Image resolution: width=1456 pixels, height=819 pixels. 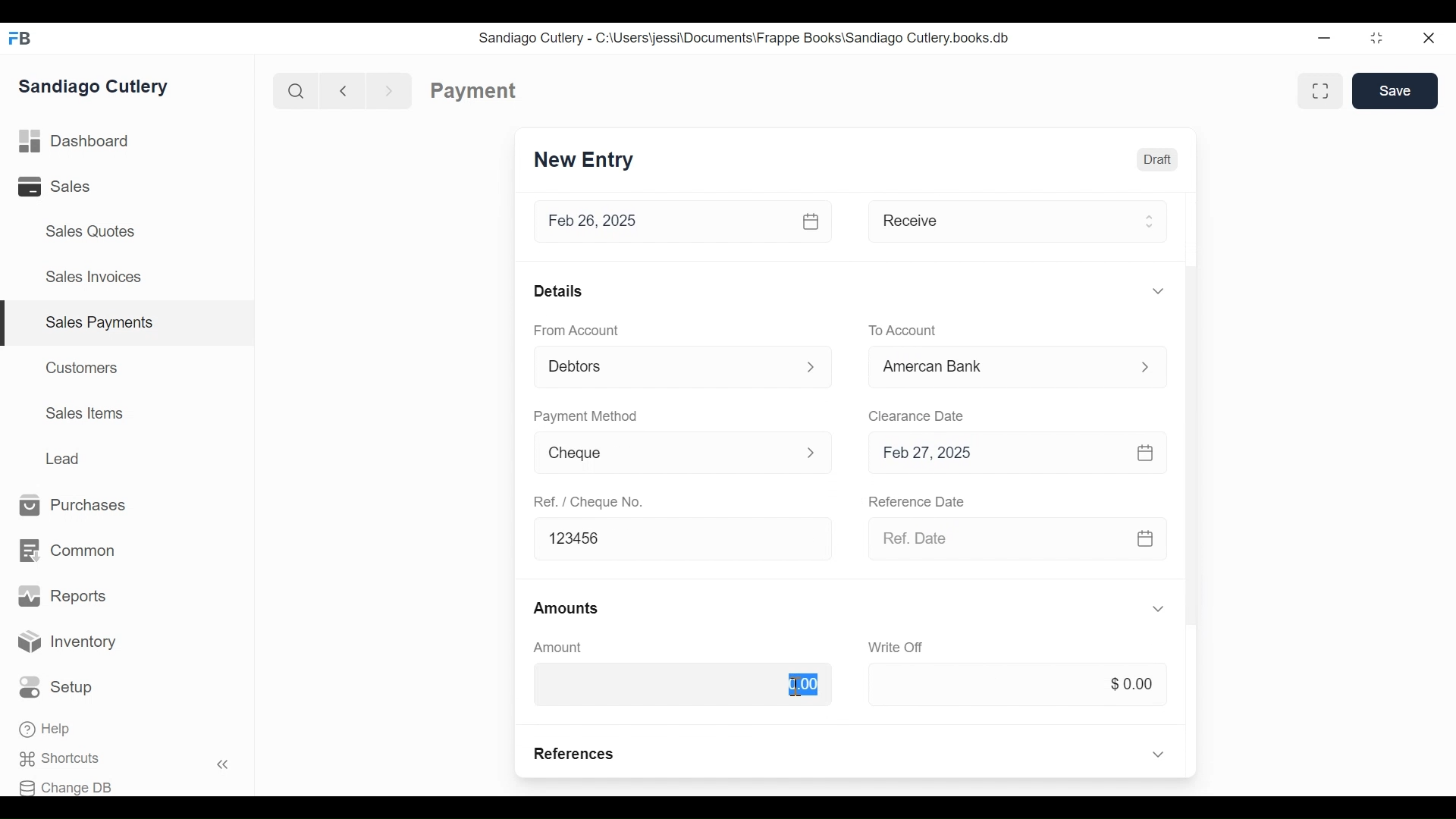 I want to click on Inventory, so click(x=68, y=642).